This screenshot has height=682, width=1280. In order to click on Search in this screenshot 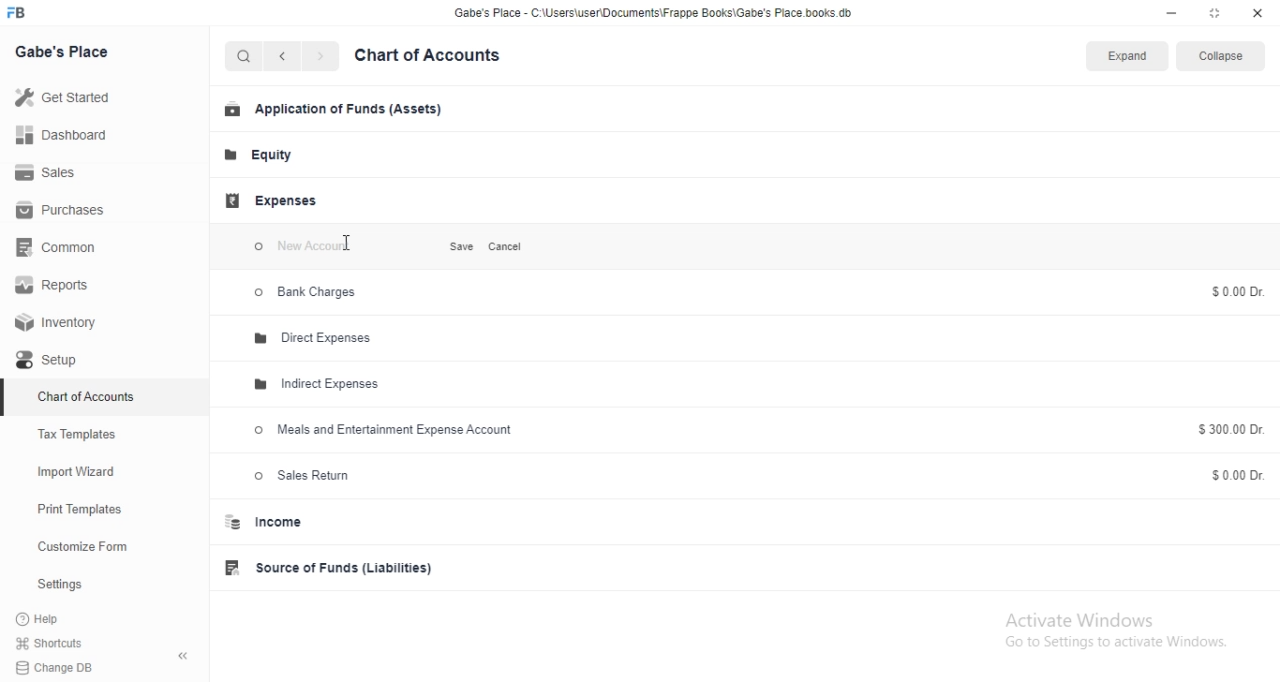, I will do `click(246, 57)`.